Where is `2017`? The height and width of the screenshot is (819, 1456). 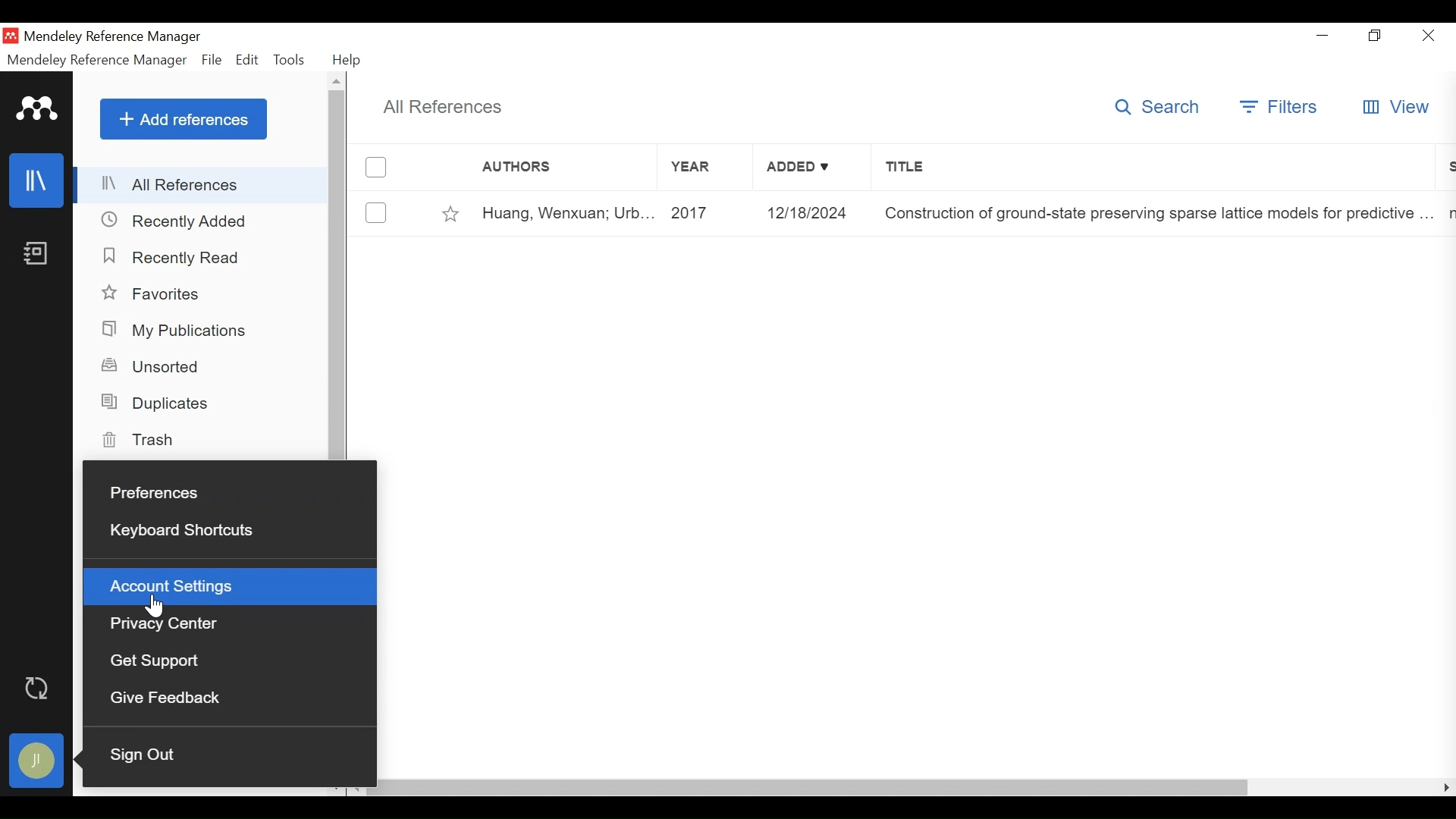 2017 is located at coordinates (709, 214).